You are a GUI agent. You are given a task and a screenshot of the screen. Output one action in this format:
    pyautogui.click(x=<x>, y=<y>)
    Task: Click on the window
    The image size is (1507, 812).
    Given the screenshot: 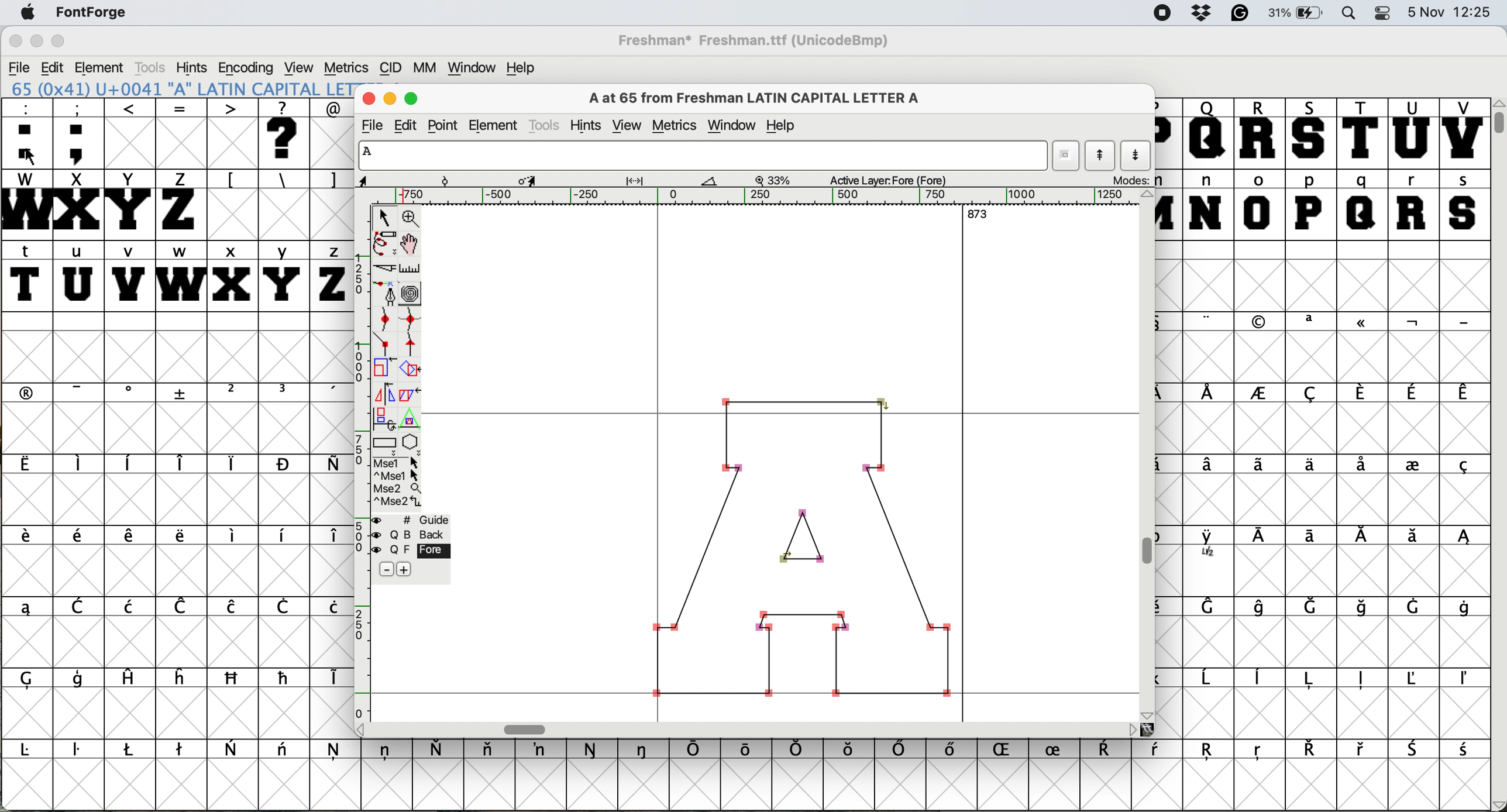 What is the action you would take?
    pyautogui.click(x=473, y=66)
    